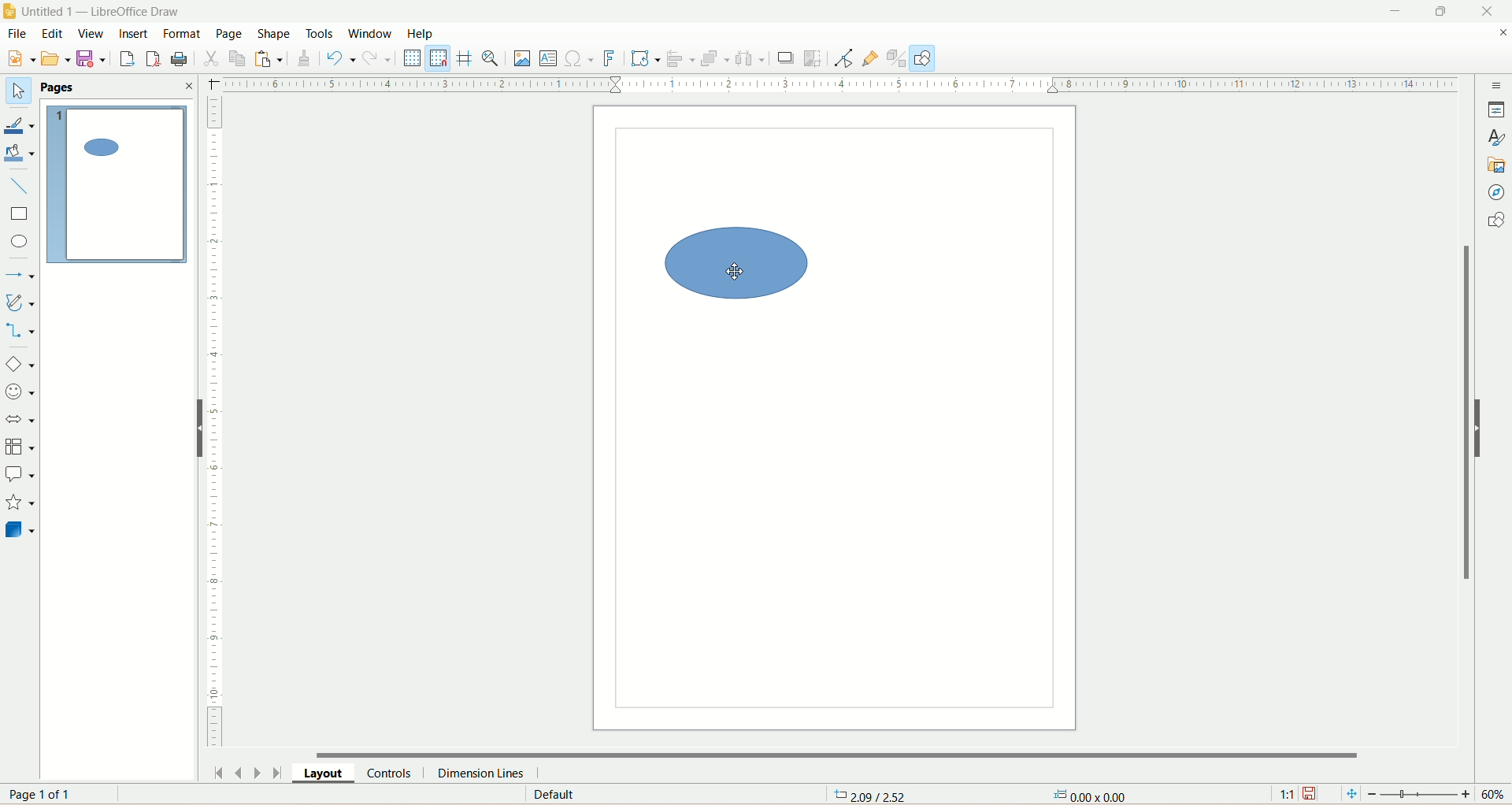 The width and height of the screenshot is (1512, 805). What do you see at coordinates (19, 421) in the screenshot?
I see `block arrow` at bounding box center [19, 421].